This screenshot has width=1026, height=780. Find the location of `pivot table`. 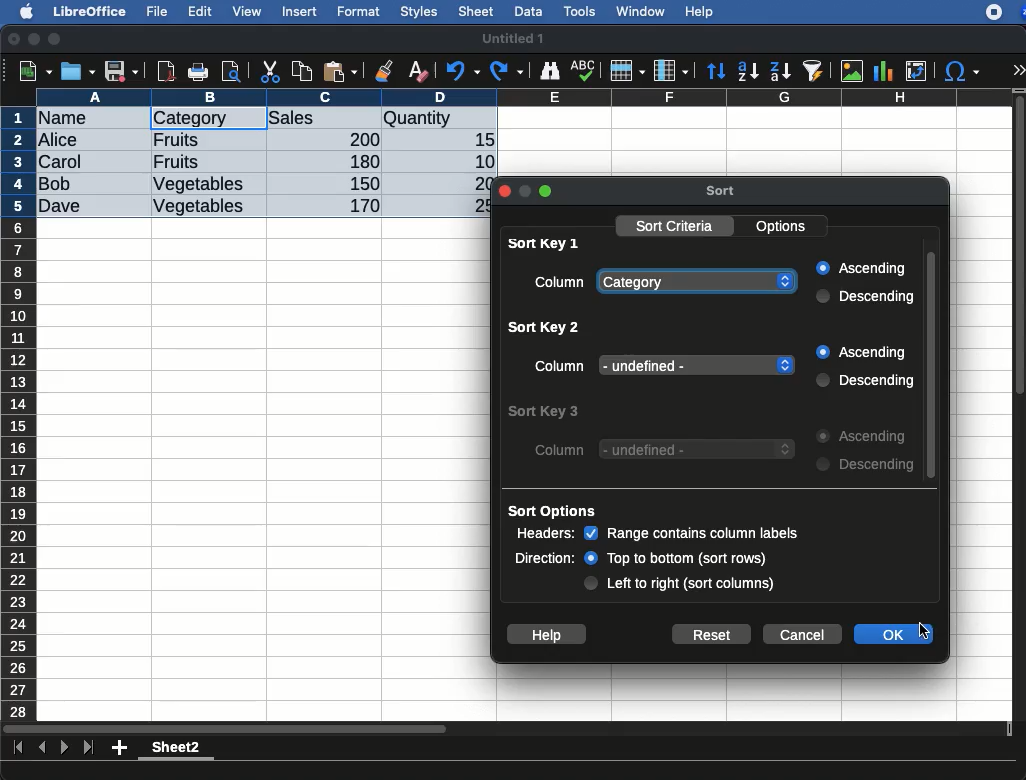

pivot table is located at coordinates (916, 71).